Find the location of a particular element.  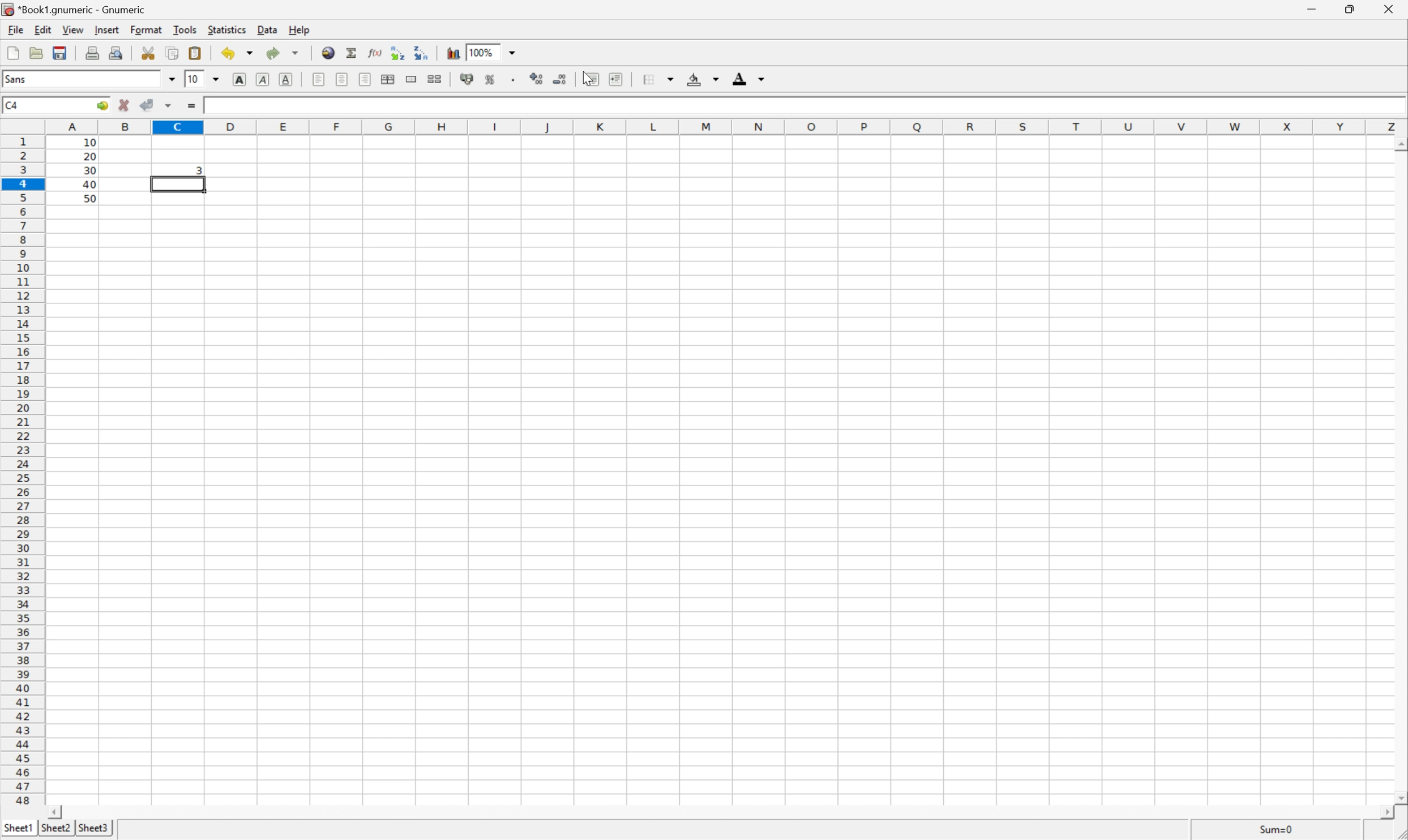

Paste the clipboard is located at coordinates (195, 53).